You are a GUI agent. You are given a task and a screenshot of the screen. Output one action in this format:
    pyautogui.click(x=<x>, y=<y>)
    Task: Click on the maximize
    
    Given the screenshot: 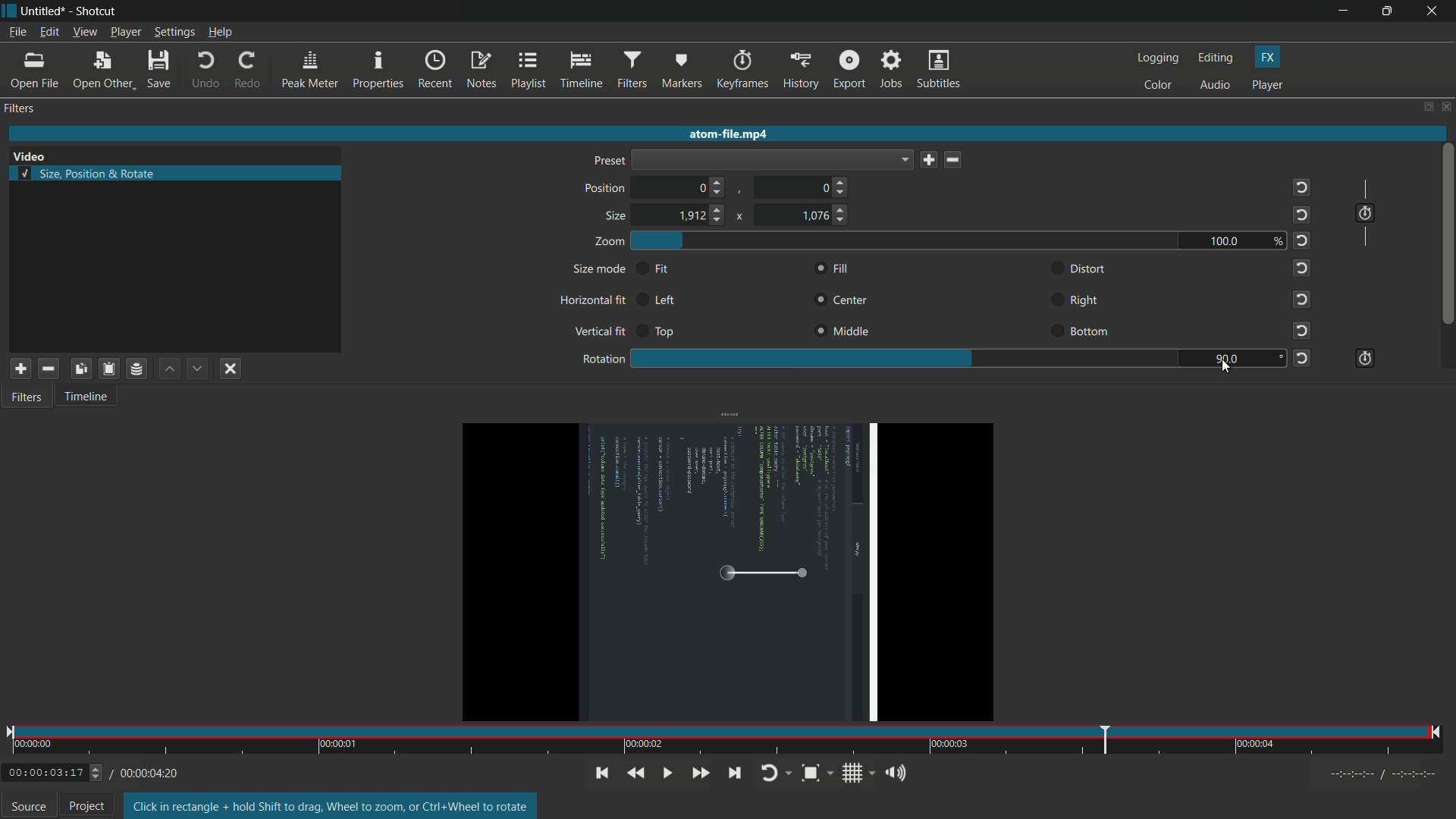 What is the action you would take?
    pyautogui.click(x=1391, y=11)
    